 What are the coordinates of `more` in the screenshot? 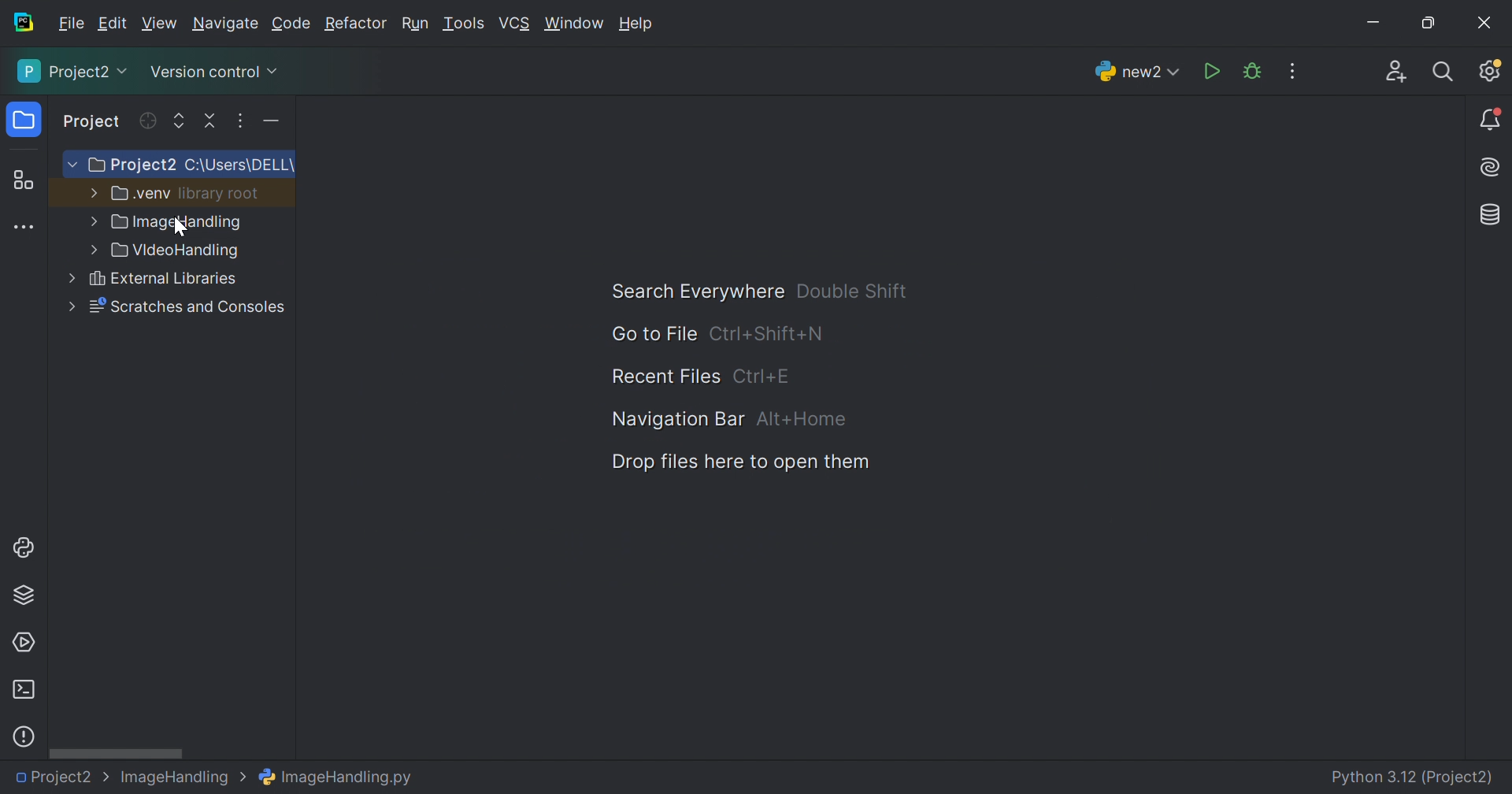 It's located at (87, 224).